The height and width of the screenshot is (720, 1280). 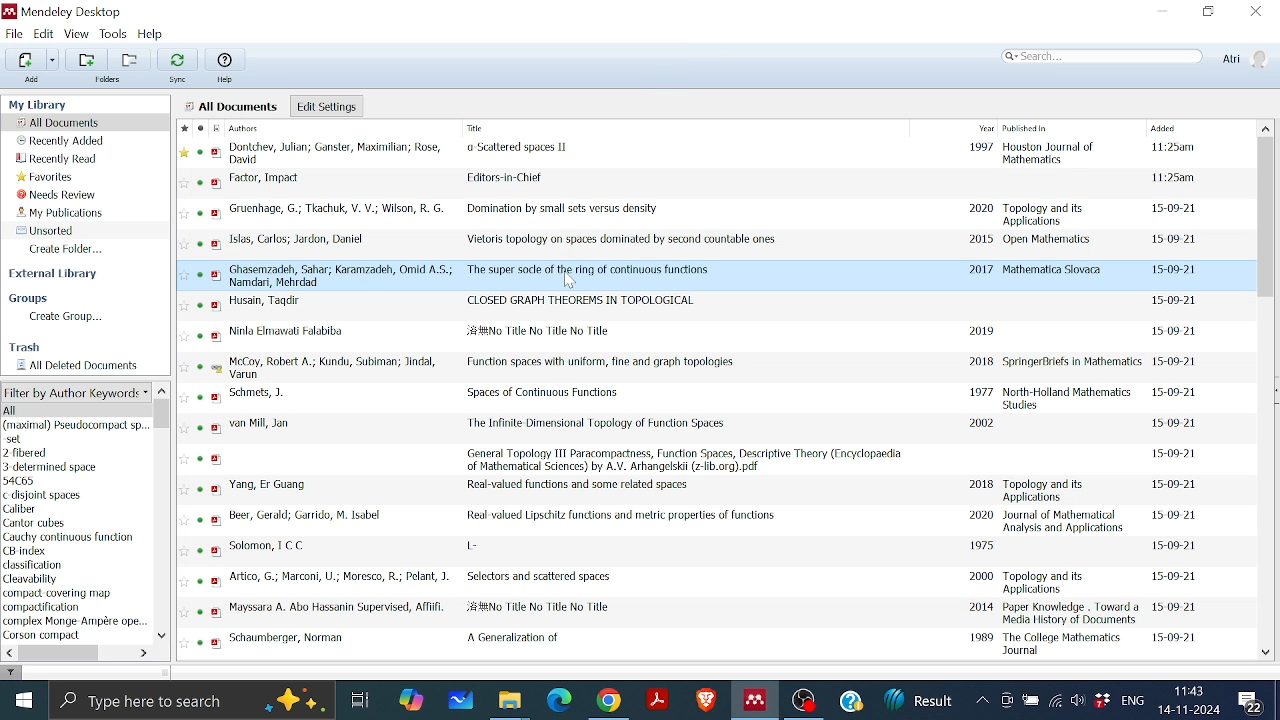 I want to click on Mayssara A. Abo Husnain File, so click(x=710, y=610).